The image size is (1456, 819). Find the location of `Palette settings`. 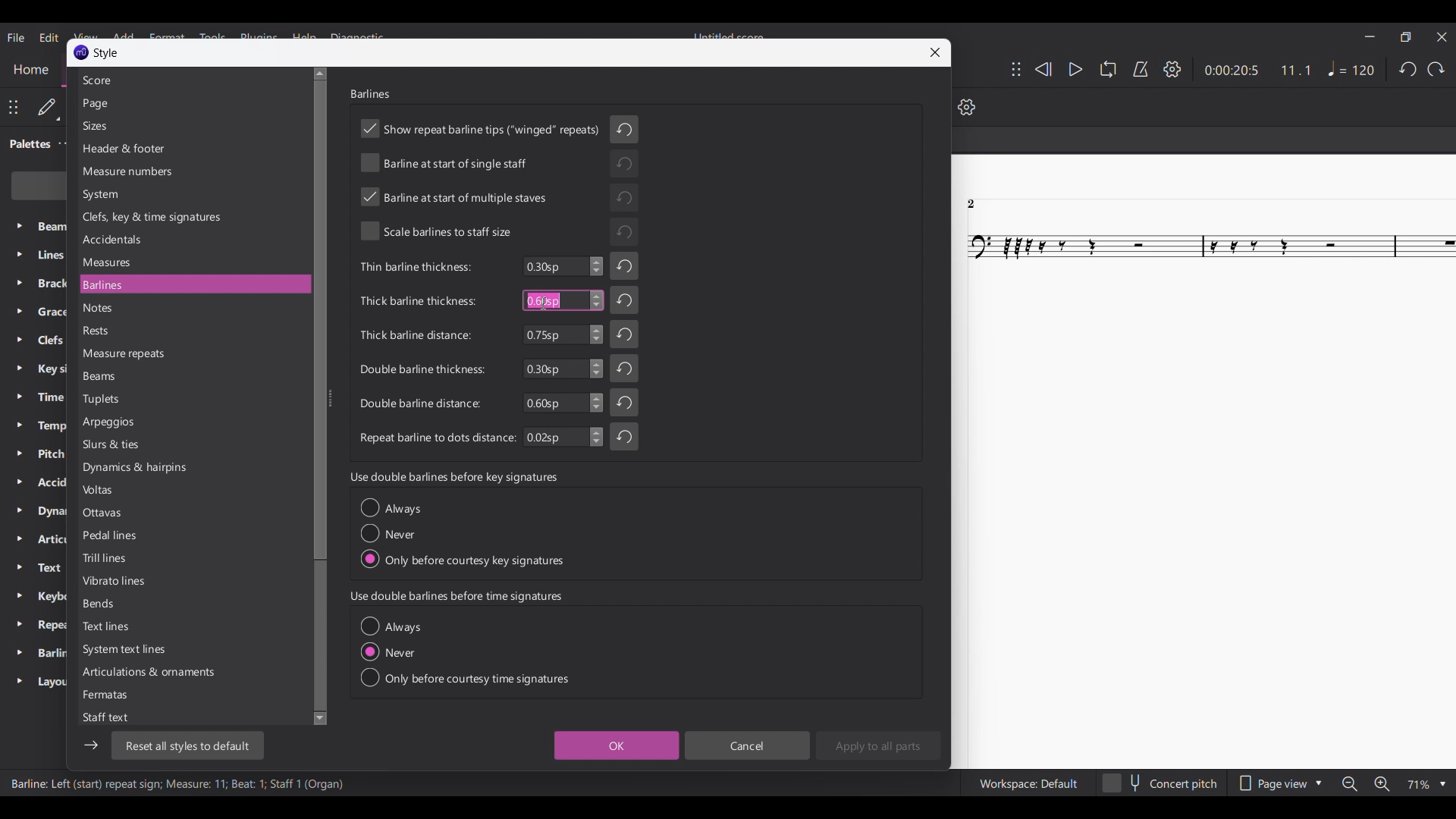

Palette settings is located at coordinates (66, 143).